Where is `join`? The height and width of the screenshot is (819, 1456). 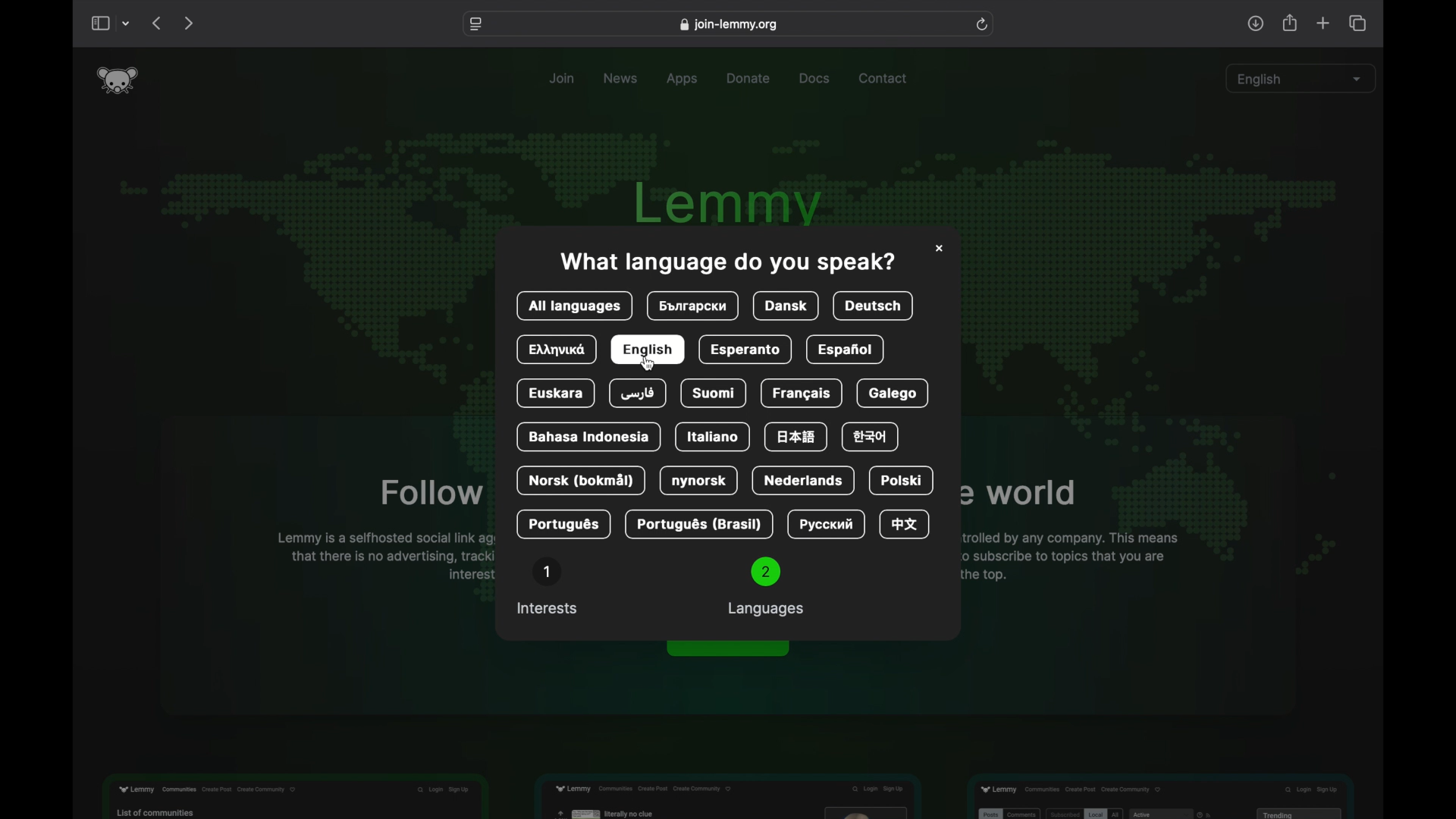
join is located at coordinates (563, 79).